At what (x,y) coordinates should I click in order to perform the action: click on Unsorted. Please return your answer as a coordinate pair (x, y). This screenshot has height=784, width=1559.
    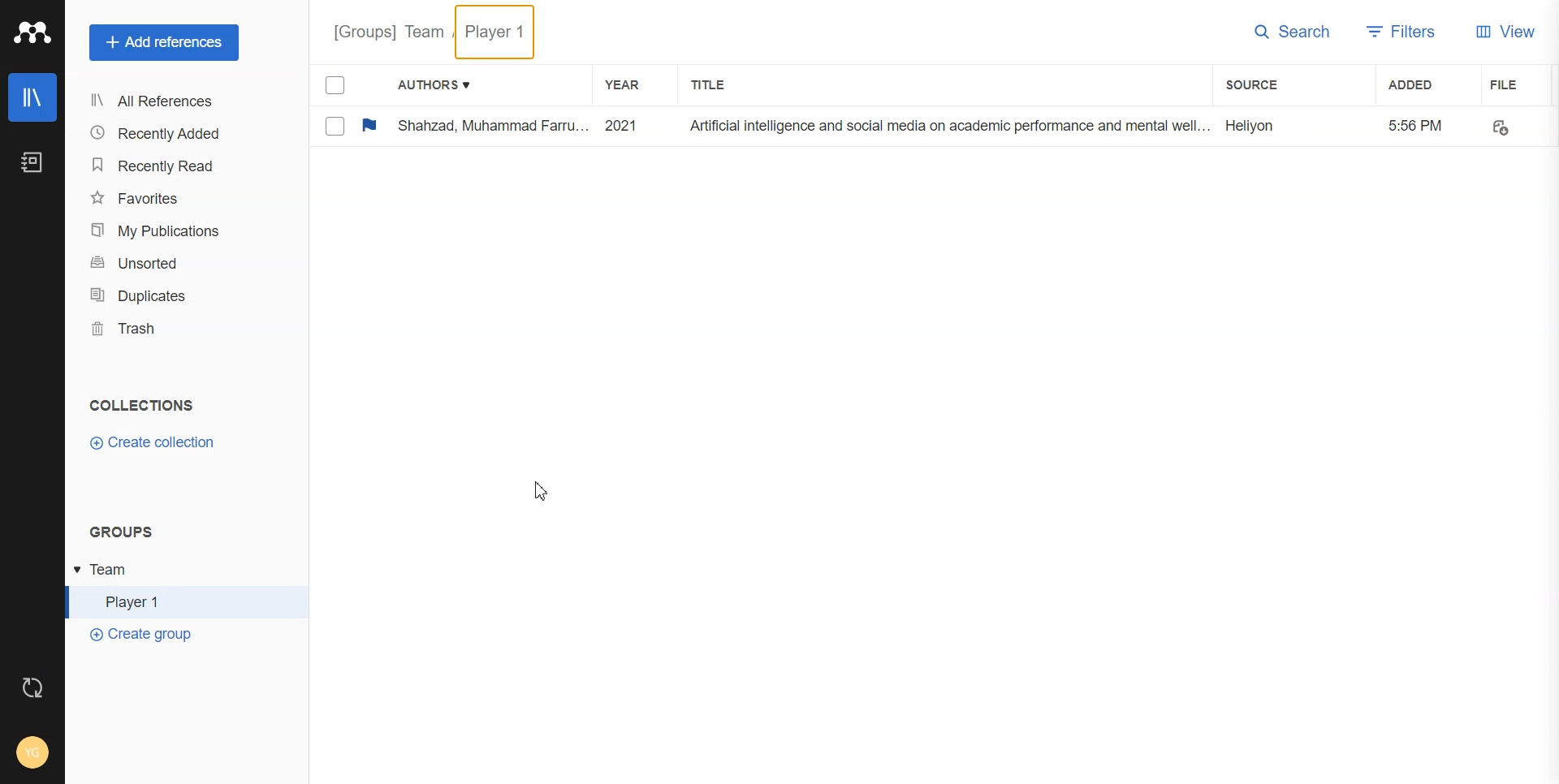
    Looking at the image, I should click on (165, 263).